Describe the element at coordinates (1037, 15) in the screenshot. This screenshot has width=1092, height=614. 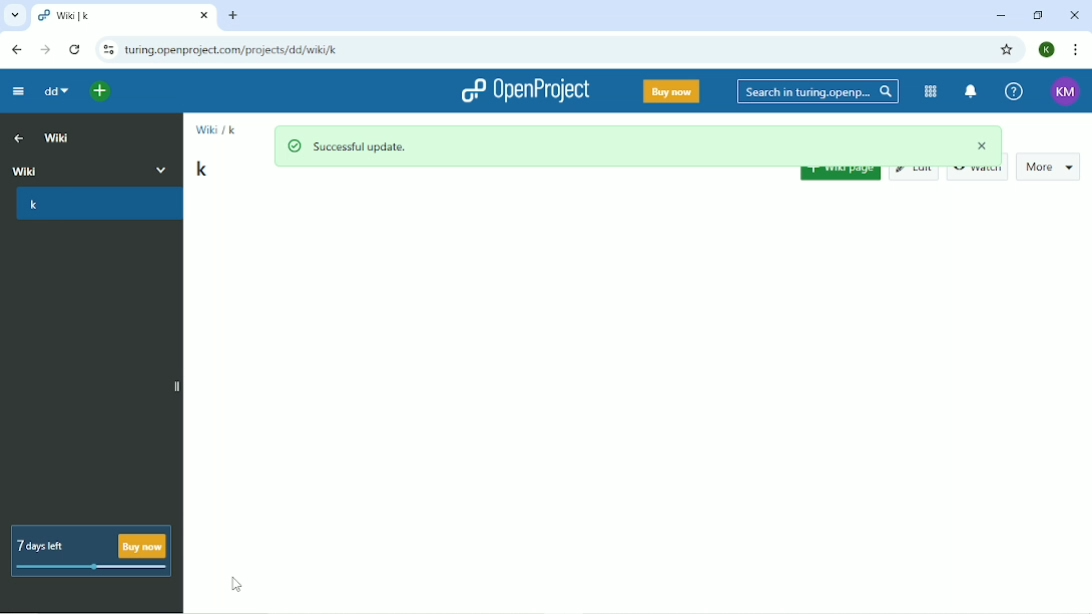
I see `Restore down` at that location.